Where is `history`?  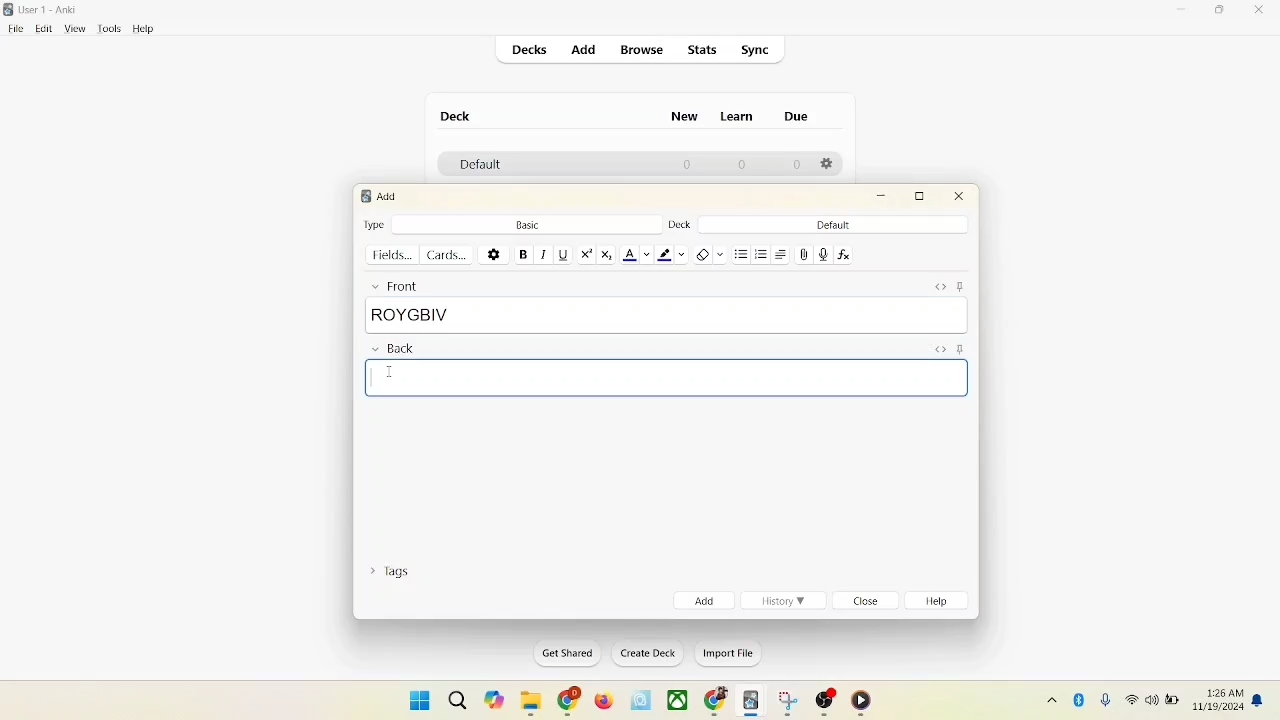 history is located at coordinates (784, 601).